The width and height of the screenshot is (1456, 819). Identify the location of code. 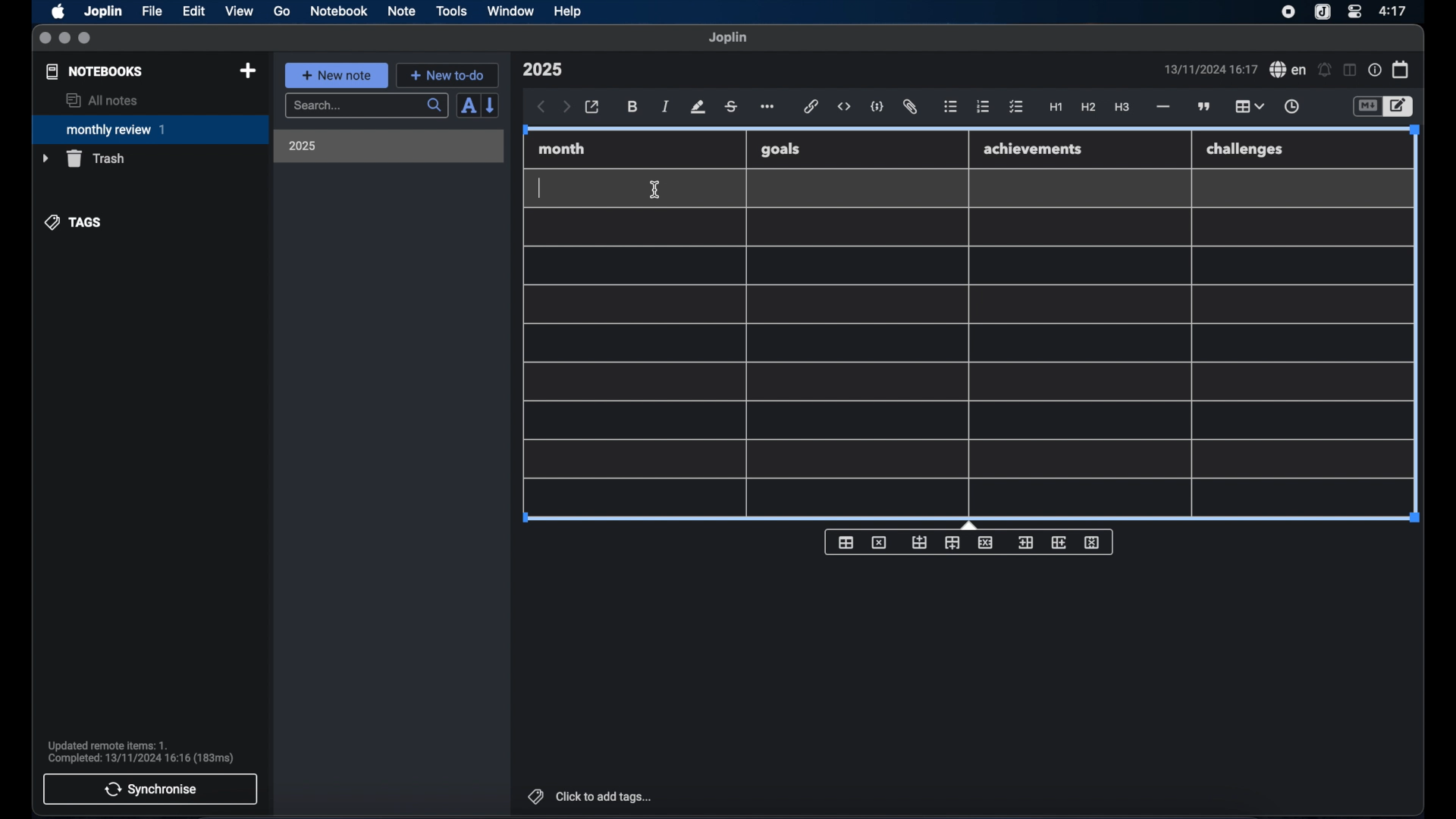
(877, 108).